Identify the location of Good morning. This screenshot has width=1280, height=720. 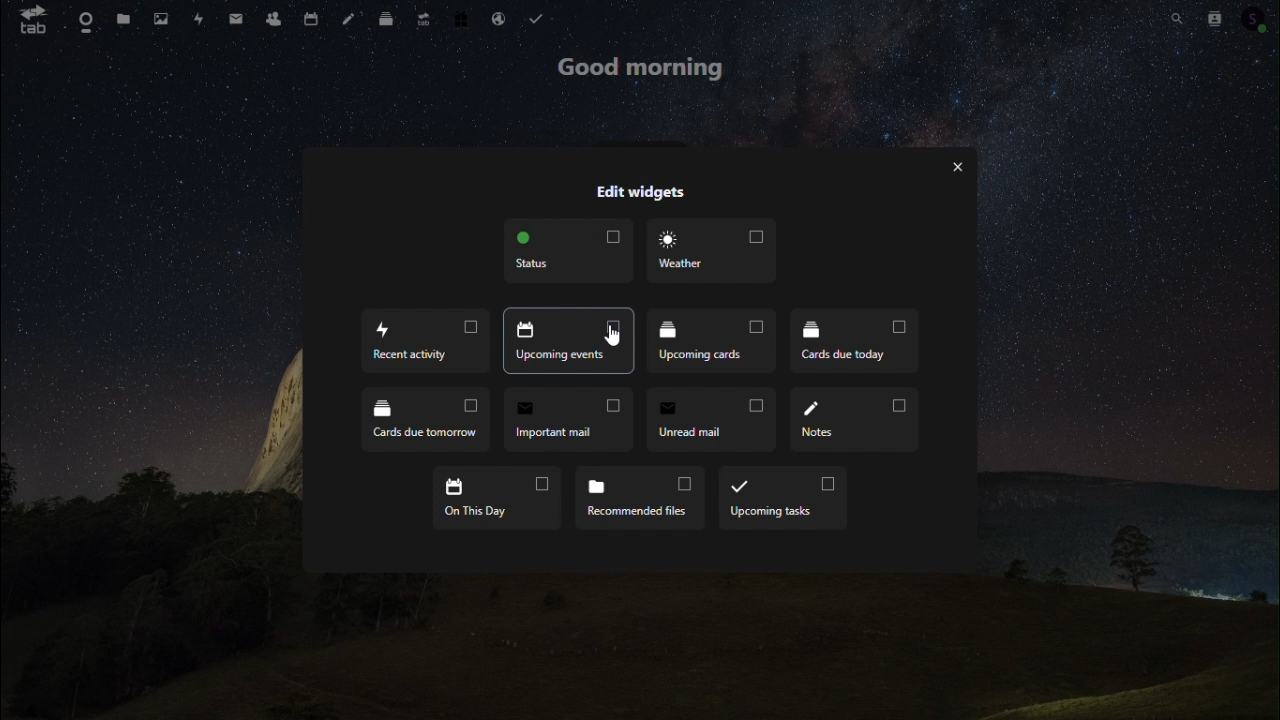
(645, 71).